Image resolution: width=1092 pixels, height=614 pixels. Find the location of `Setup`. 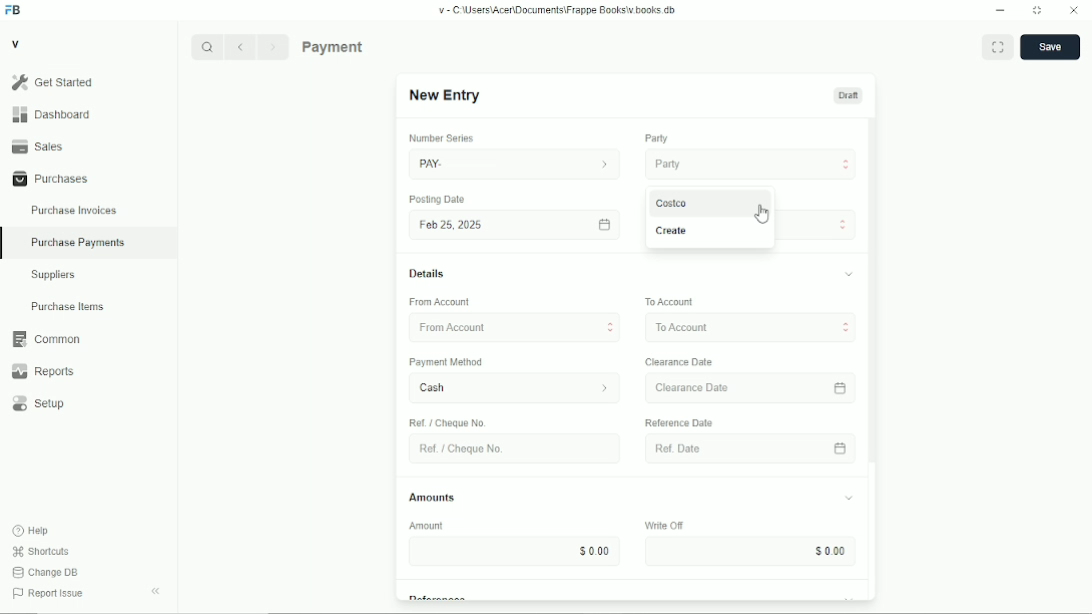

Setup is located at coordinates (89, 403).